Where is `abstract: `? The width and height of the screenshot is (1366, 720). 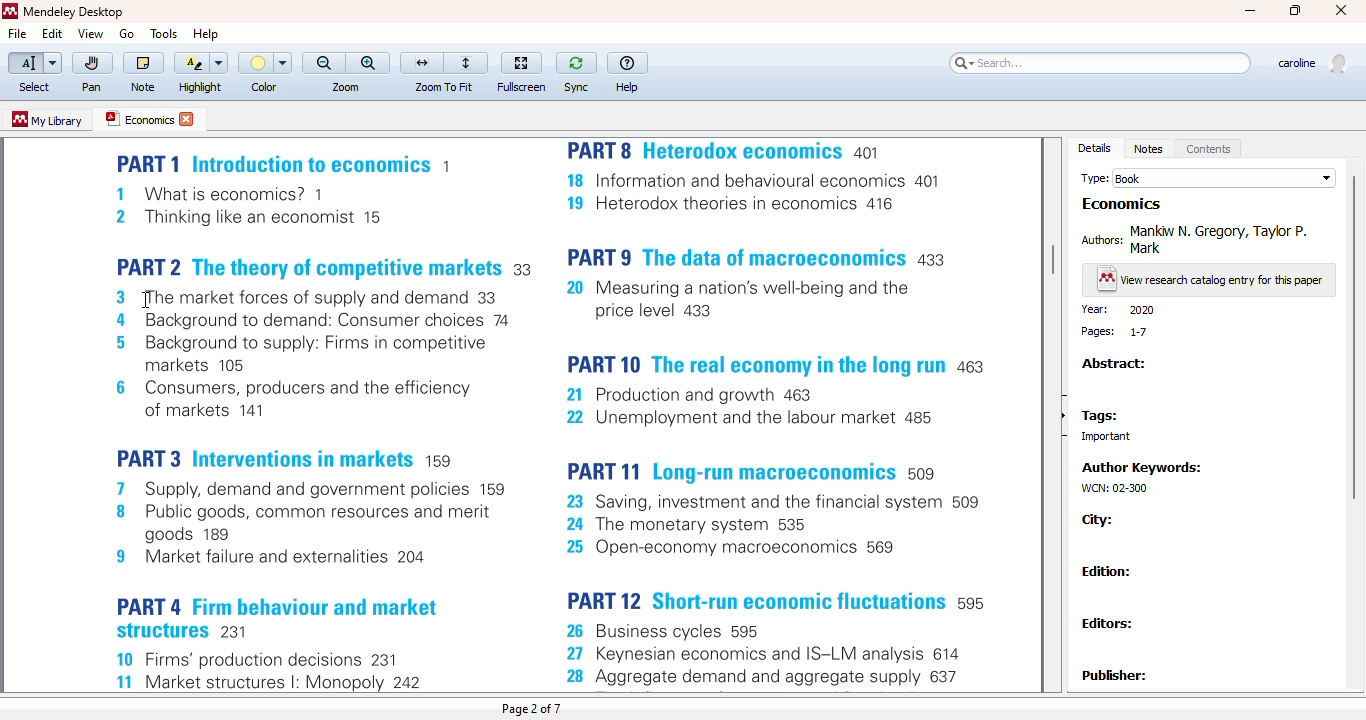
abstract:  is located at coordinates (1113, 364).